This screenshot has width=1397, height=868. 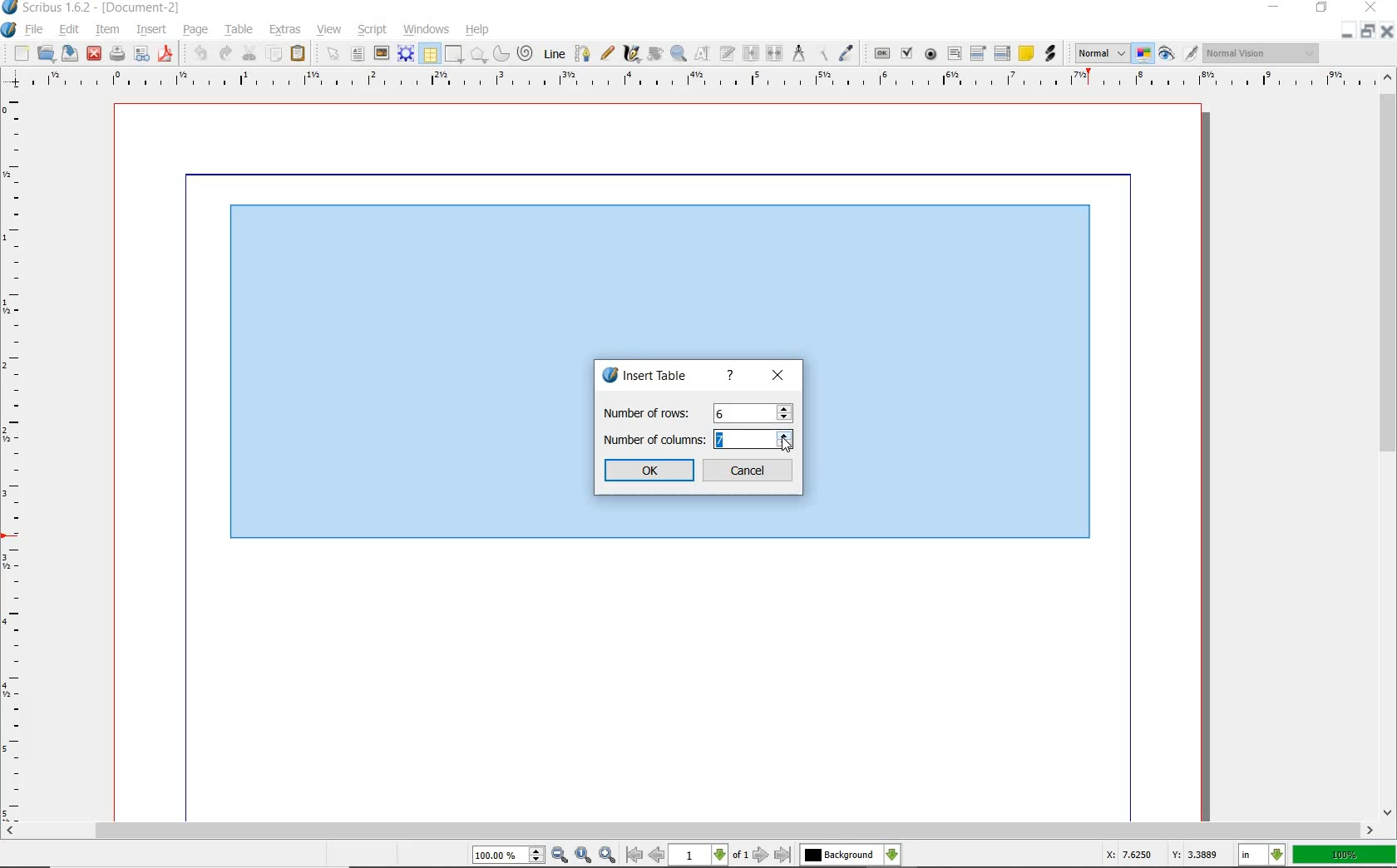 What do you see at coordinates (762, 856) in the screenshot?
I see `go to next page` at bounding box center [762, 856].